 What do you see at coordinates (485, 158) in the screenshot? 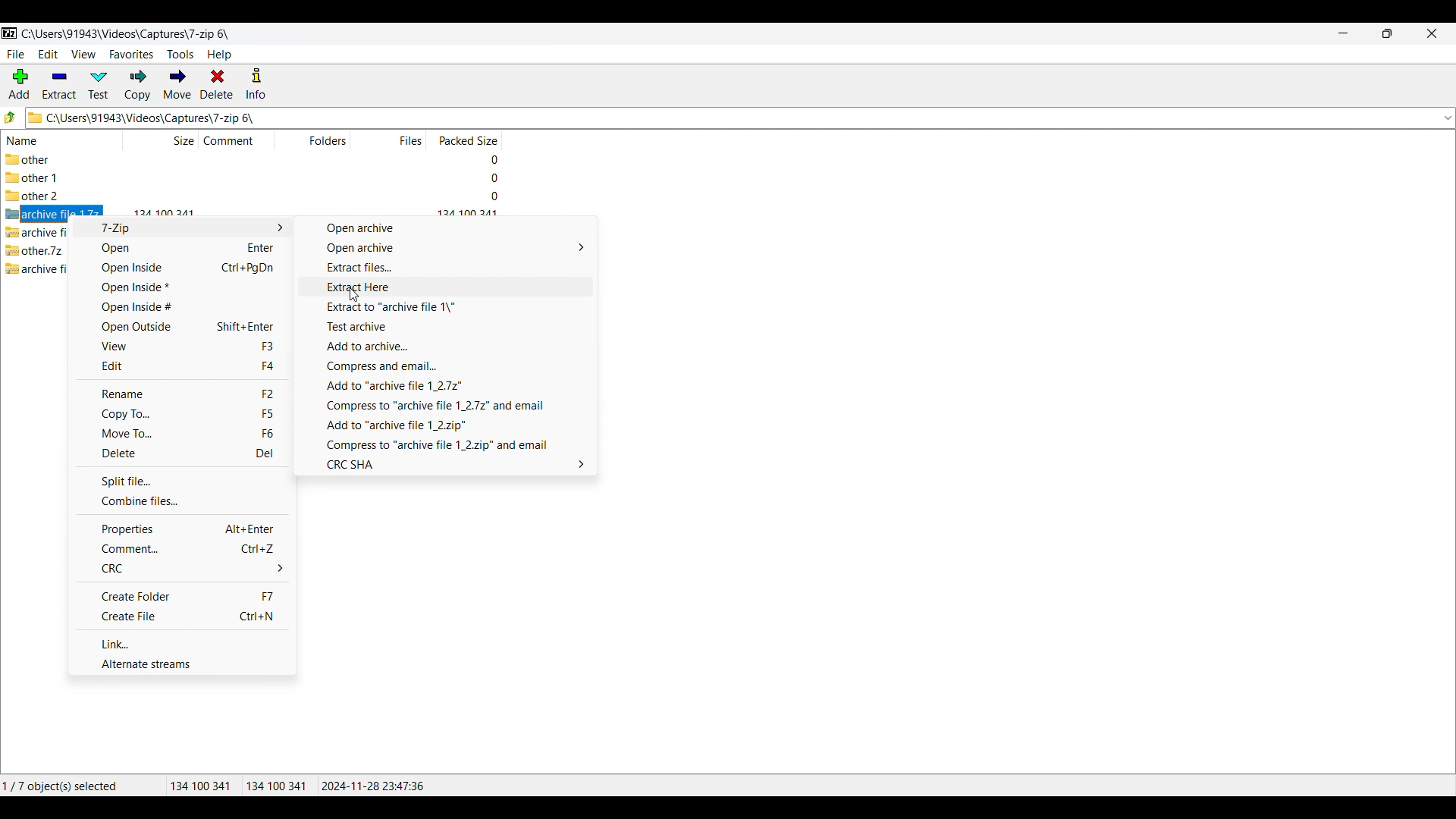
I see `packed size` at bounding box center [485, 158].